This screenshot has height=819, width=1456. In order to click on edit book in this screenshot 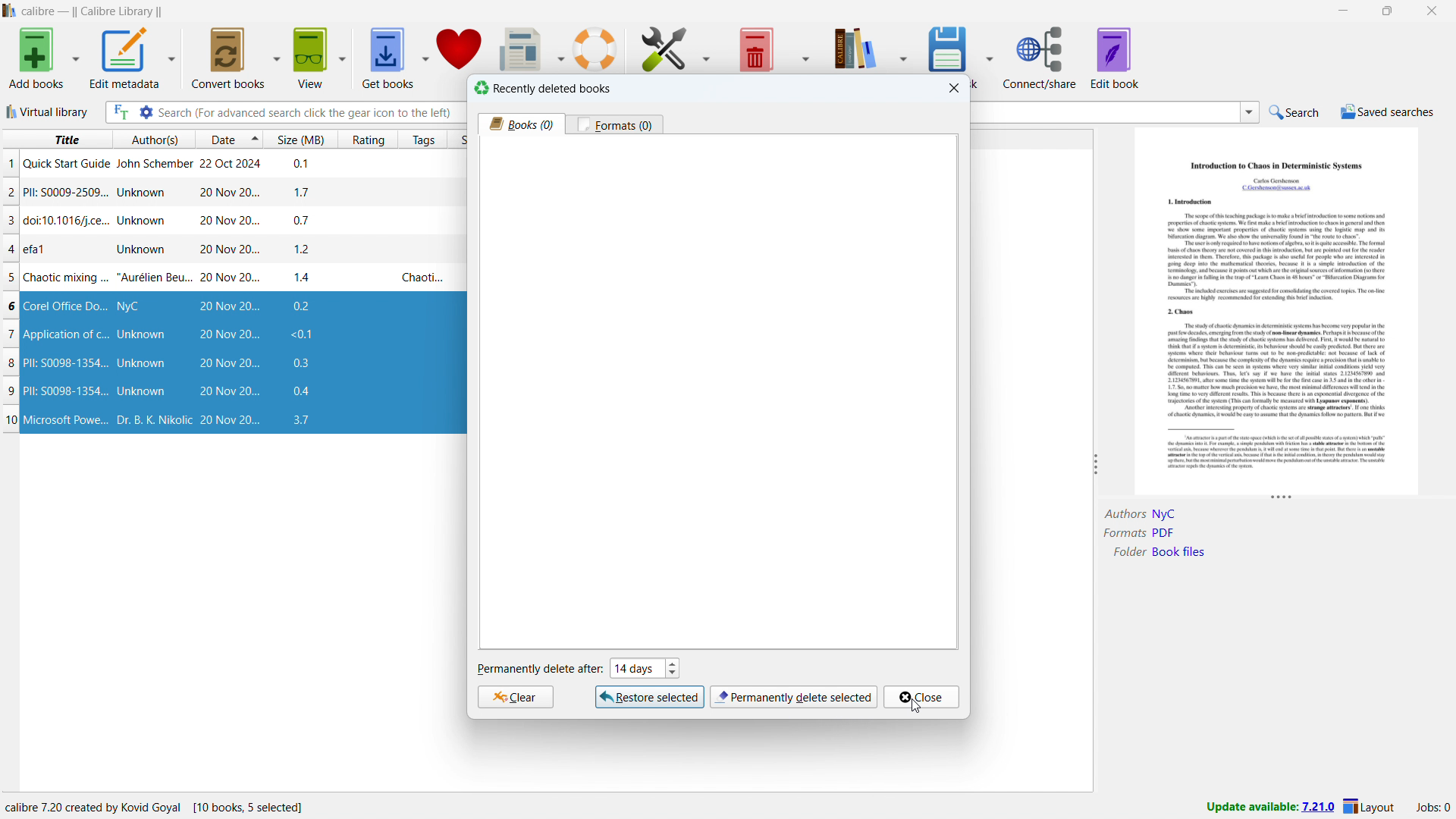, I will do `click(1115, 57)`.